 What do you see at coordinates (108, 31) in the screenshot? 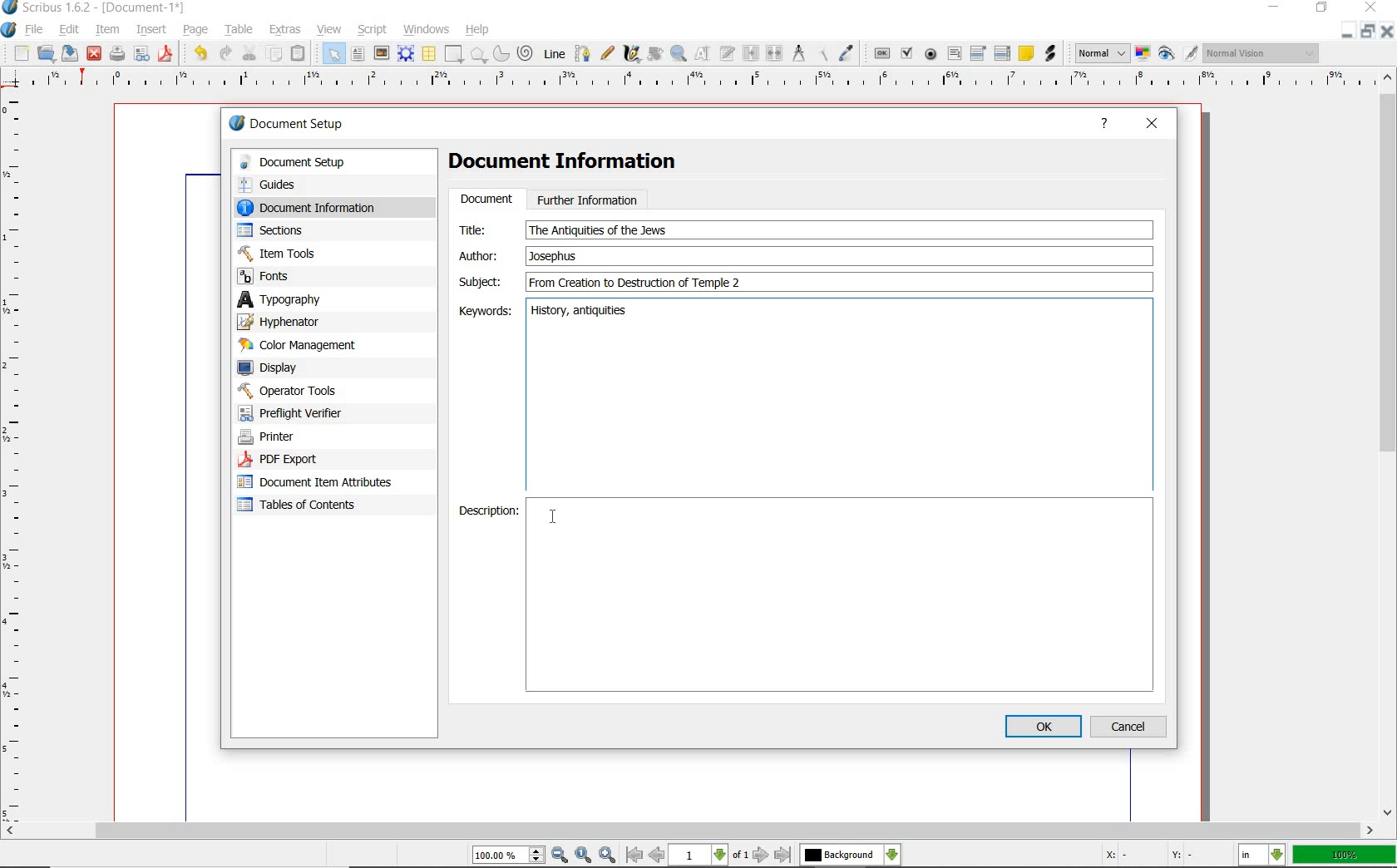
I see `item` at bounding box center [108, 31].